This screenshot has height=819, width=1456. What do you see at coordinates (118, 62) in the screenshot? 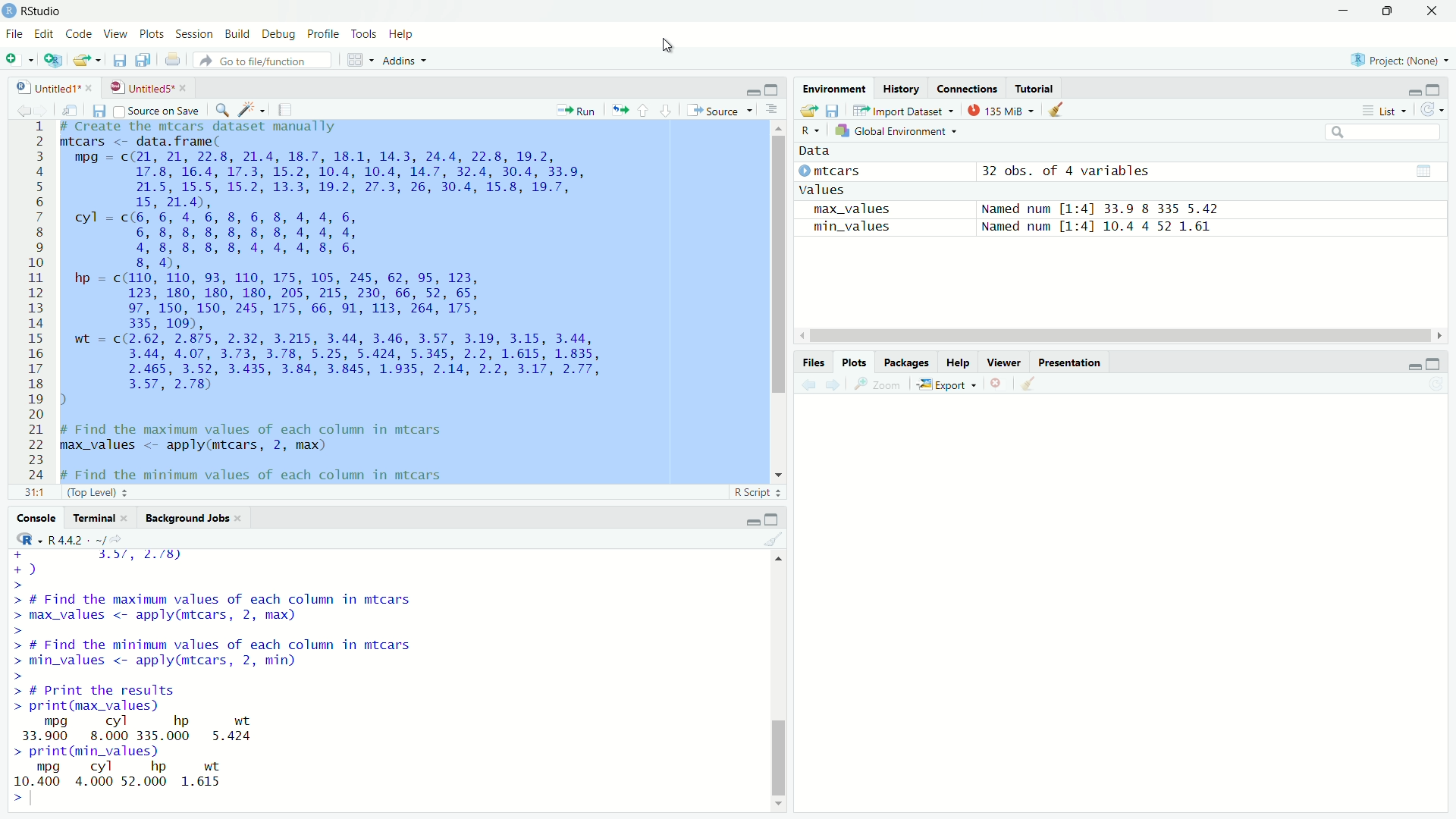
I see `save` at bounding box center [118, 62].